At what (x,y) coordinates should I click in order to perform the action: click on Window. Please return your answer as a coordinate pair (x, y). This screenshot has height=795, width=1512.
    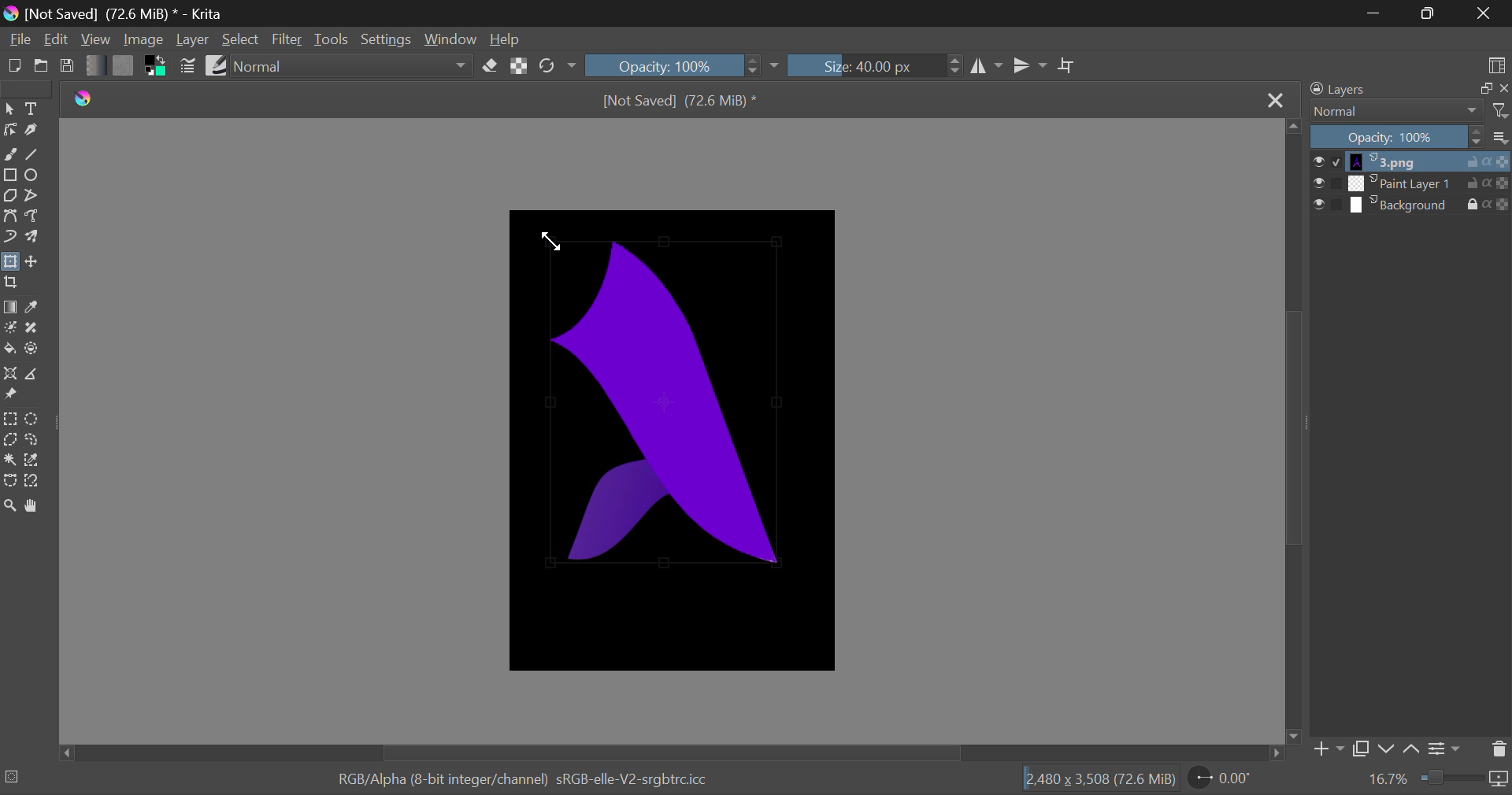
    Looking at the image, I should click on (448, 39).